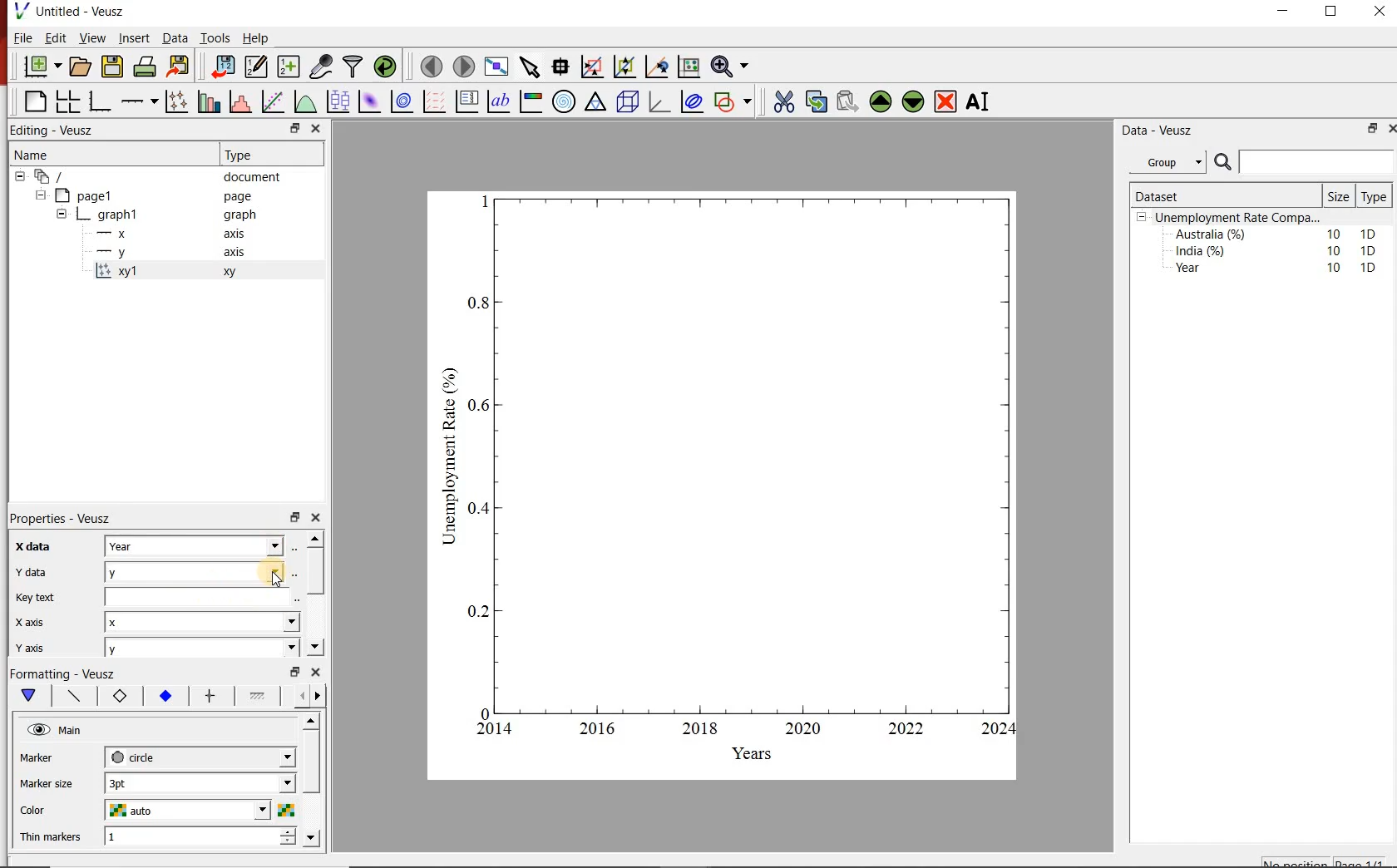  I want to click on open document, so click(81, 67).